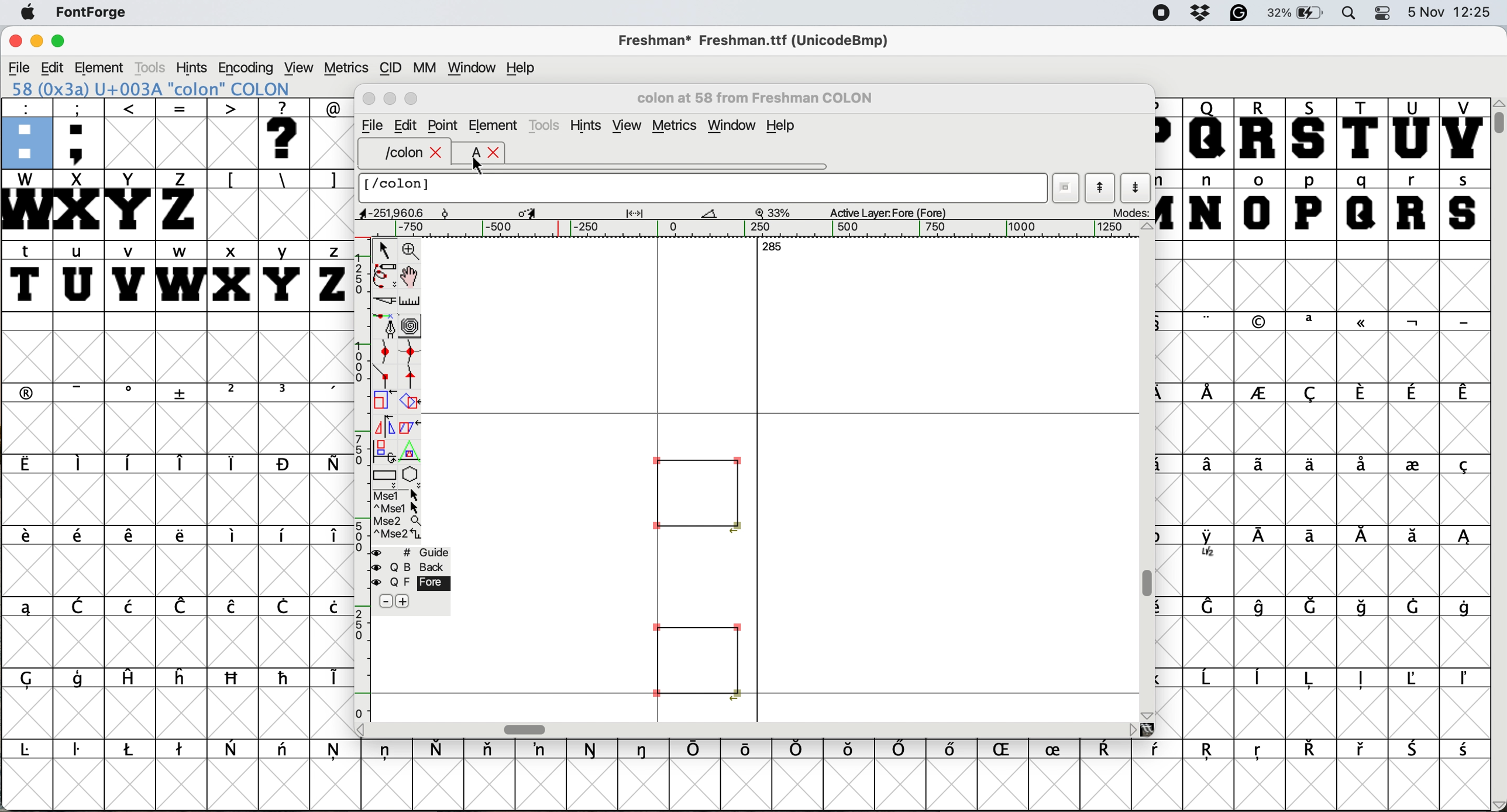 The width and height of the screenshot is (1507, 812). Describe the element at coordinates (1159, 751) in the screenshot. I see `symbol` at that location.